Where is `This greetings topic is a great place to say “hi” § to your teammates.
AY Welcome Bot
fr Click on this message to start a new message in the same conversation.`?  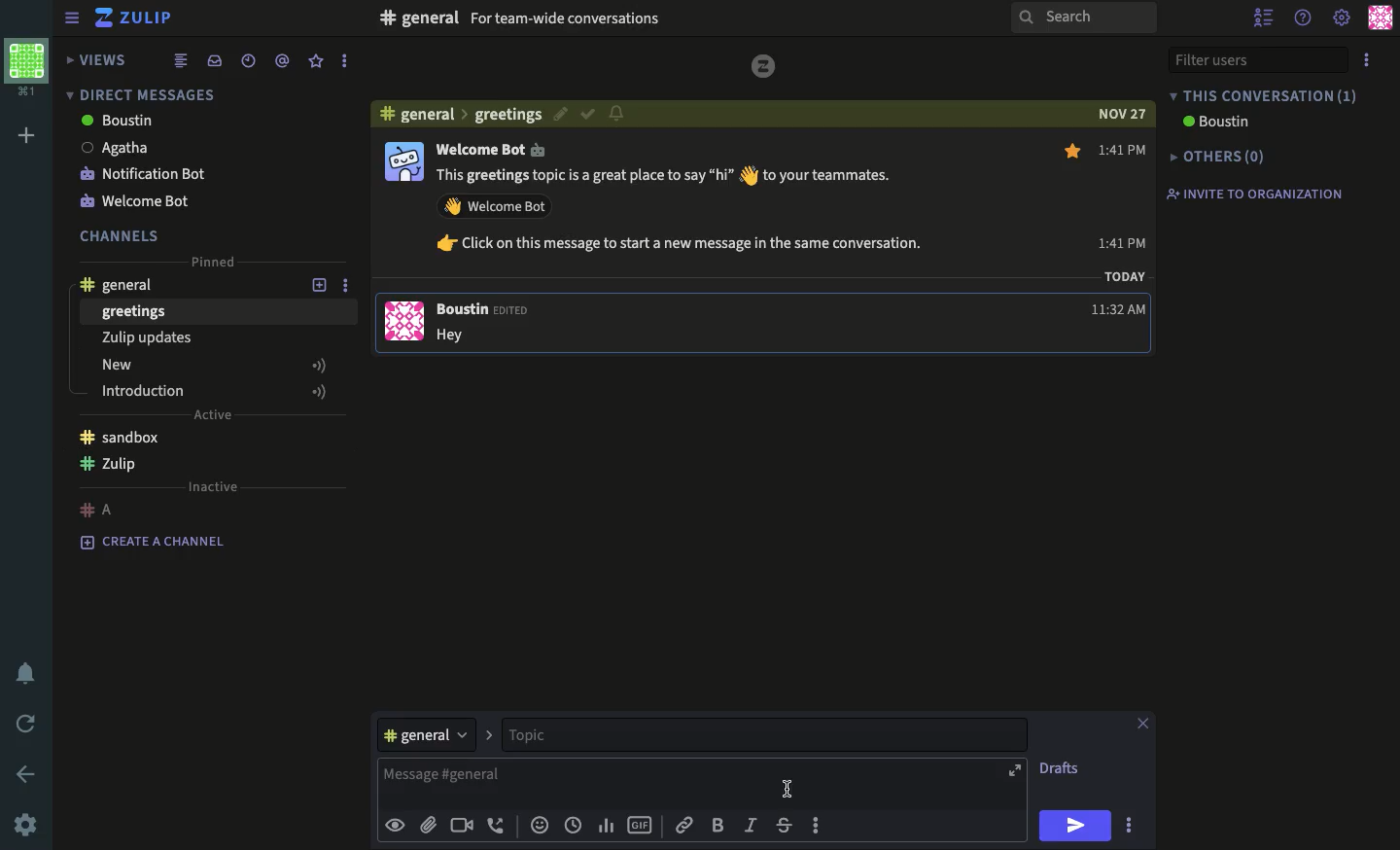
This greetings topic is a great place to say “hi” § to your teammates.
AY Welcome Bot
fr Click on this message to start a new message in the same conversation. is located at coordinates (684, 212).